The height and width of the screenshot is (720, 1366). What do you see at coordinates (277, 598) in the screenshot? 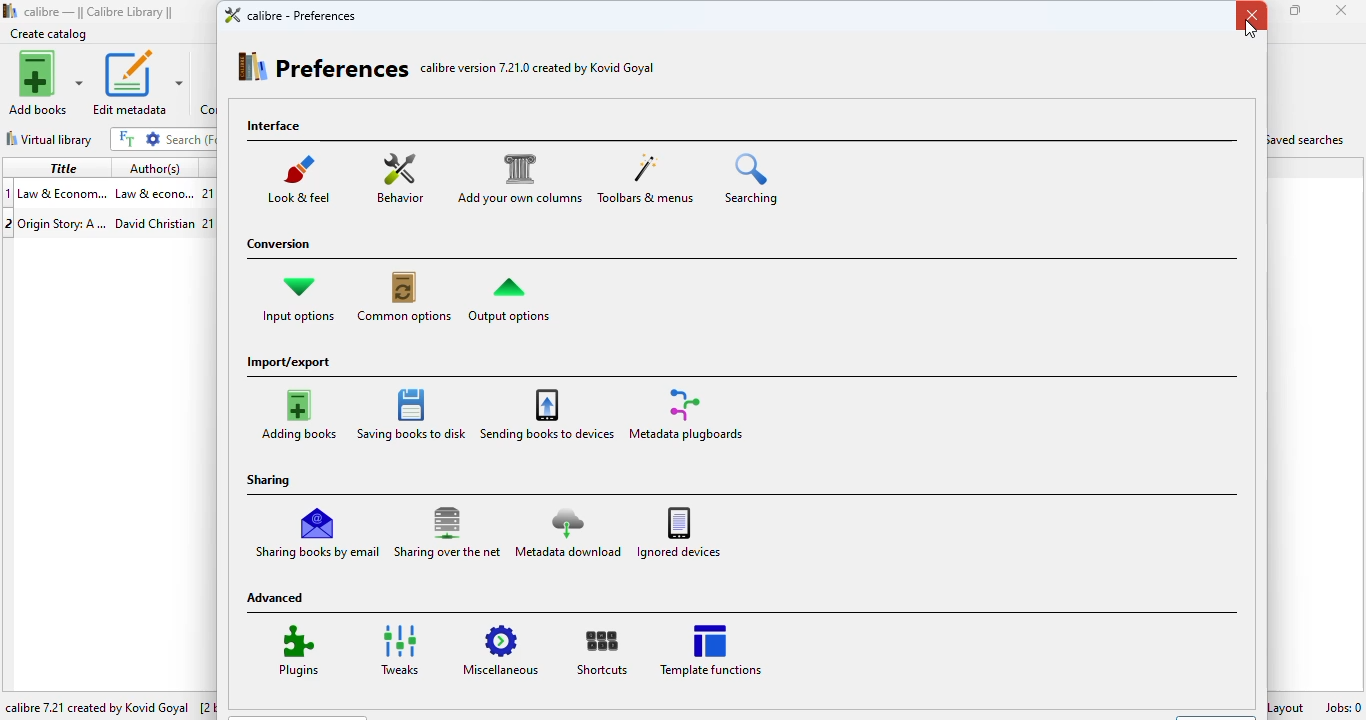
I see `advanced` at bounding box center [277, 598].